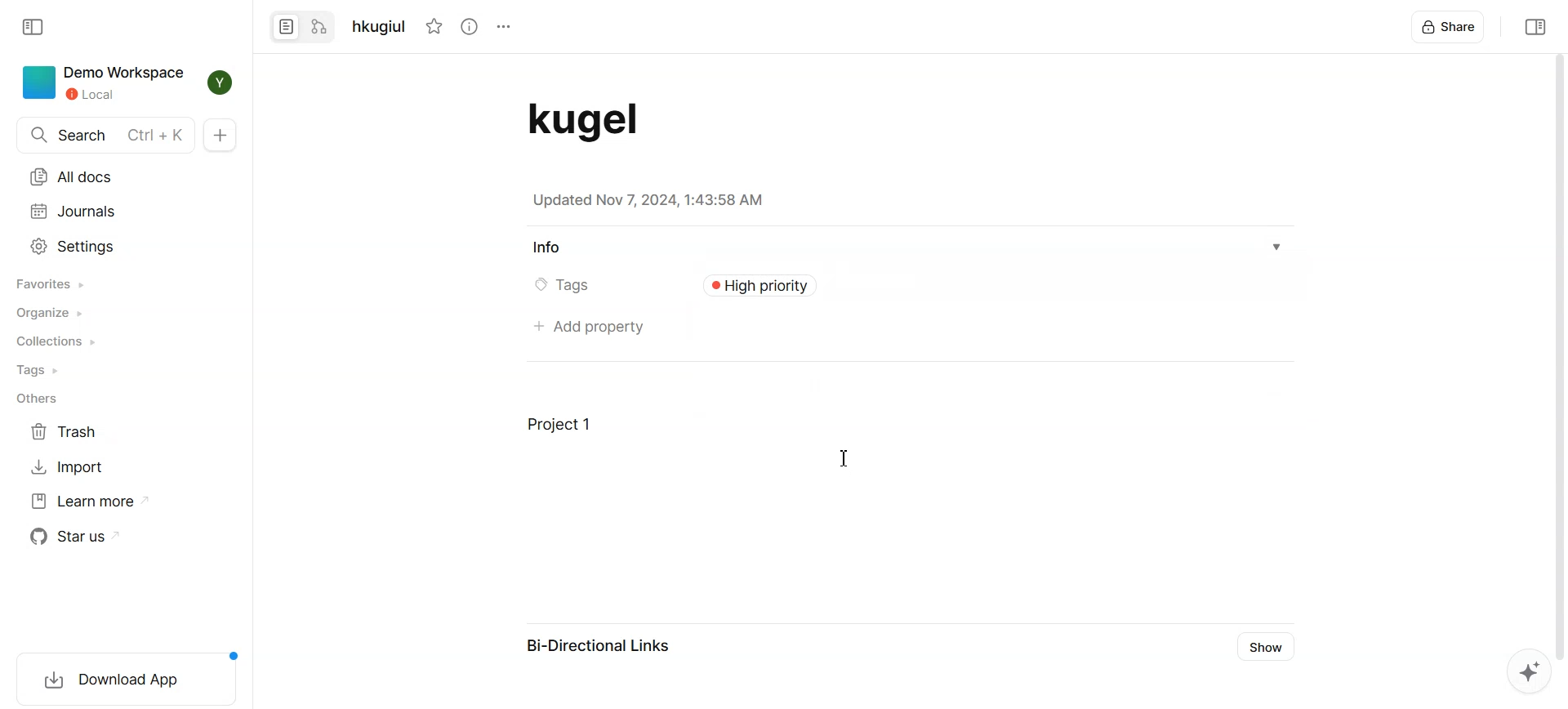 The height and width of the screenshot is (709, 1568). I want to click on icon, so click(38, 82).